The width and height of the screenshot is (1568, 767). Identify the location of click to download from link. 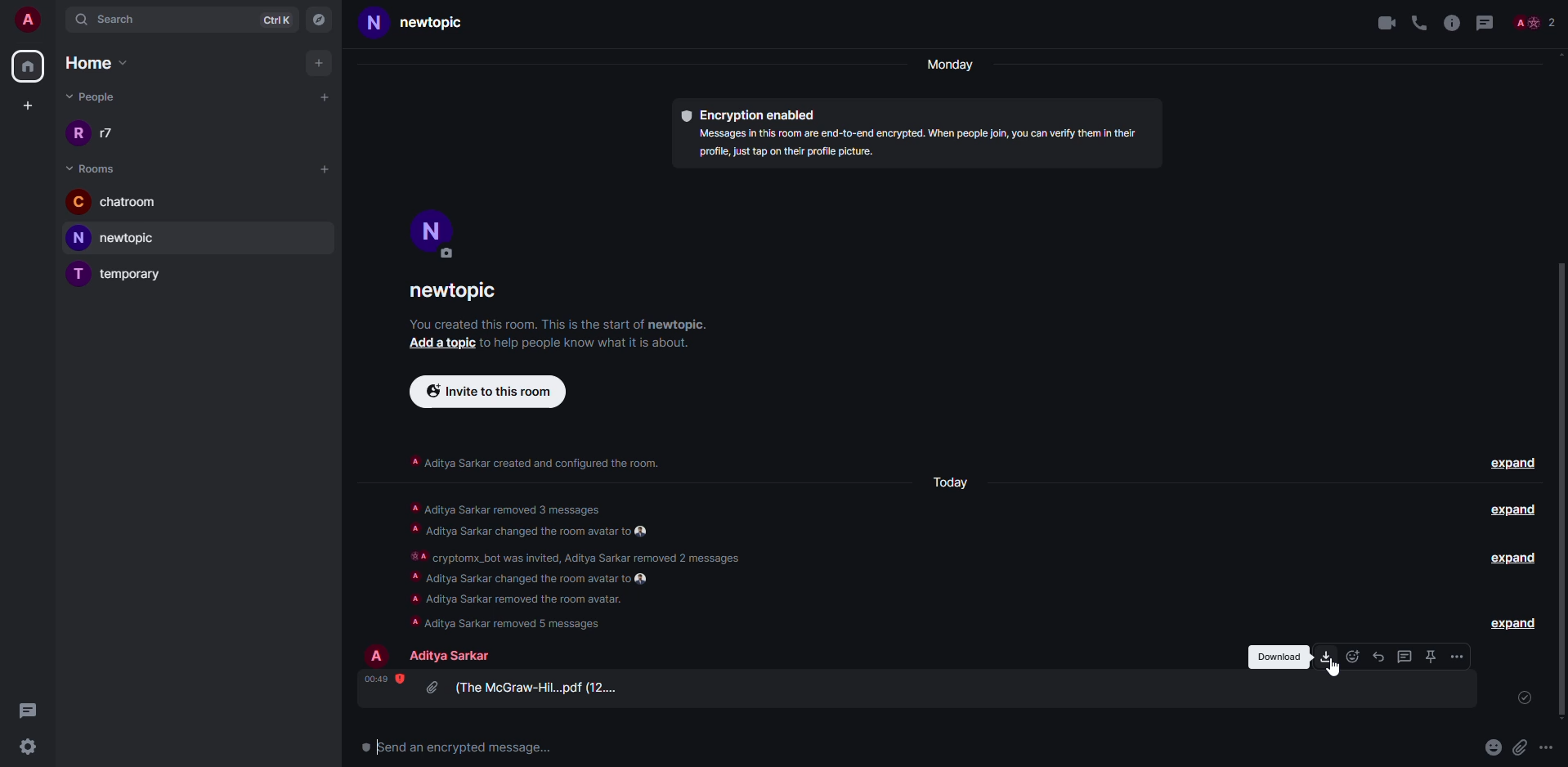
(1327, 656).